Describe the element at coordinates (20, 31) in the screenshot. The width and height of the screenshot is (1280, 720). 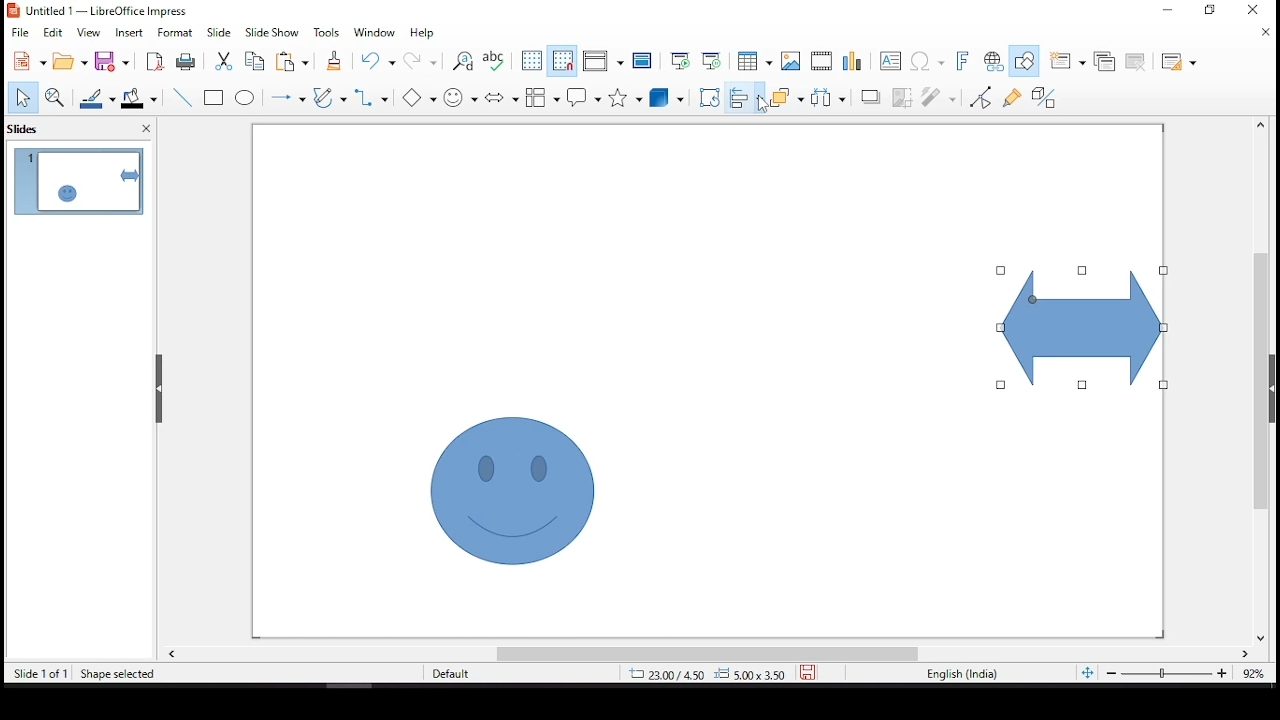
I see `file` at that location.